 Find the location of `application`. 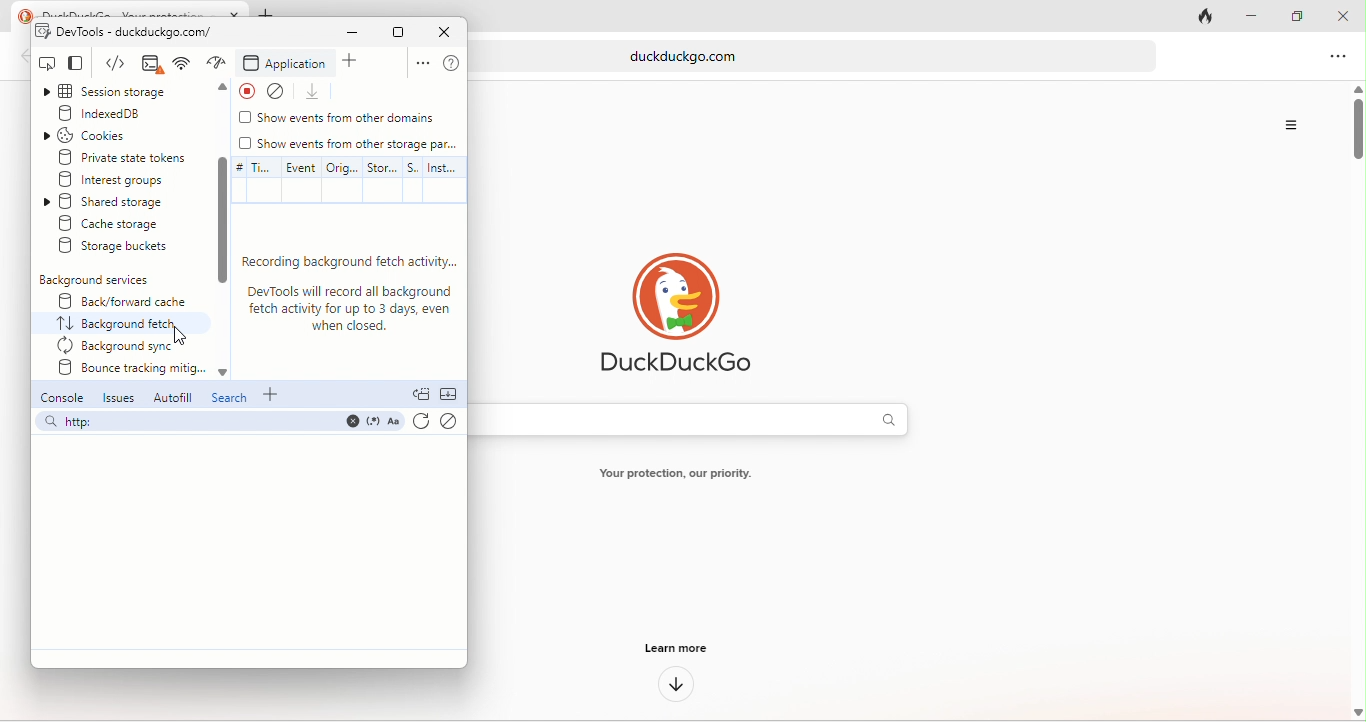

application is located at coordinates (286, 64).